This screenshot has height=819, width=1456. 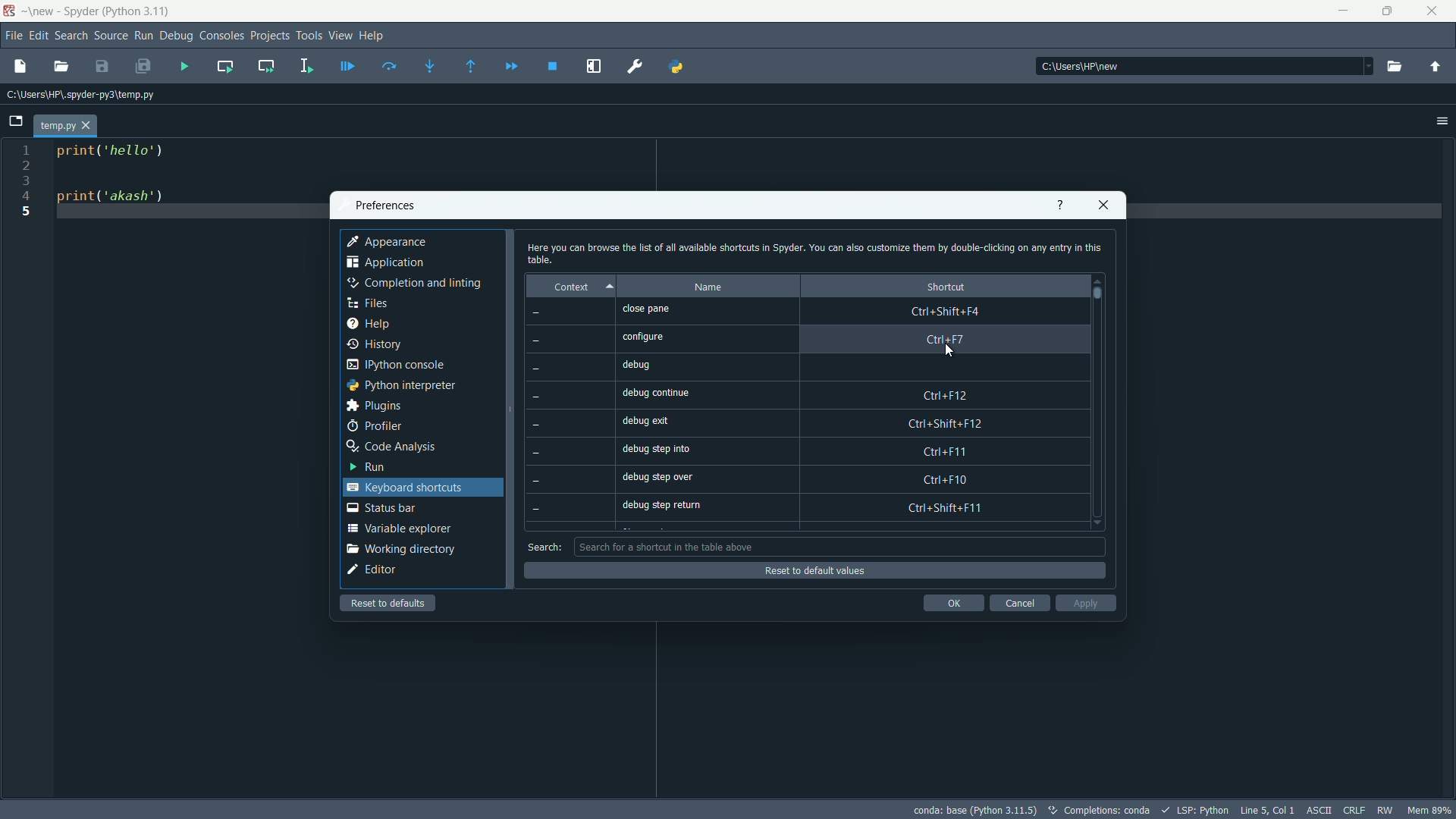 What do you see at coordinates (107, 180) in the screenshot?
I see `code editor - print('hello') print ('akash')` at bounding box center [107, 180].